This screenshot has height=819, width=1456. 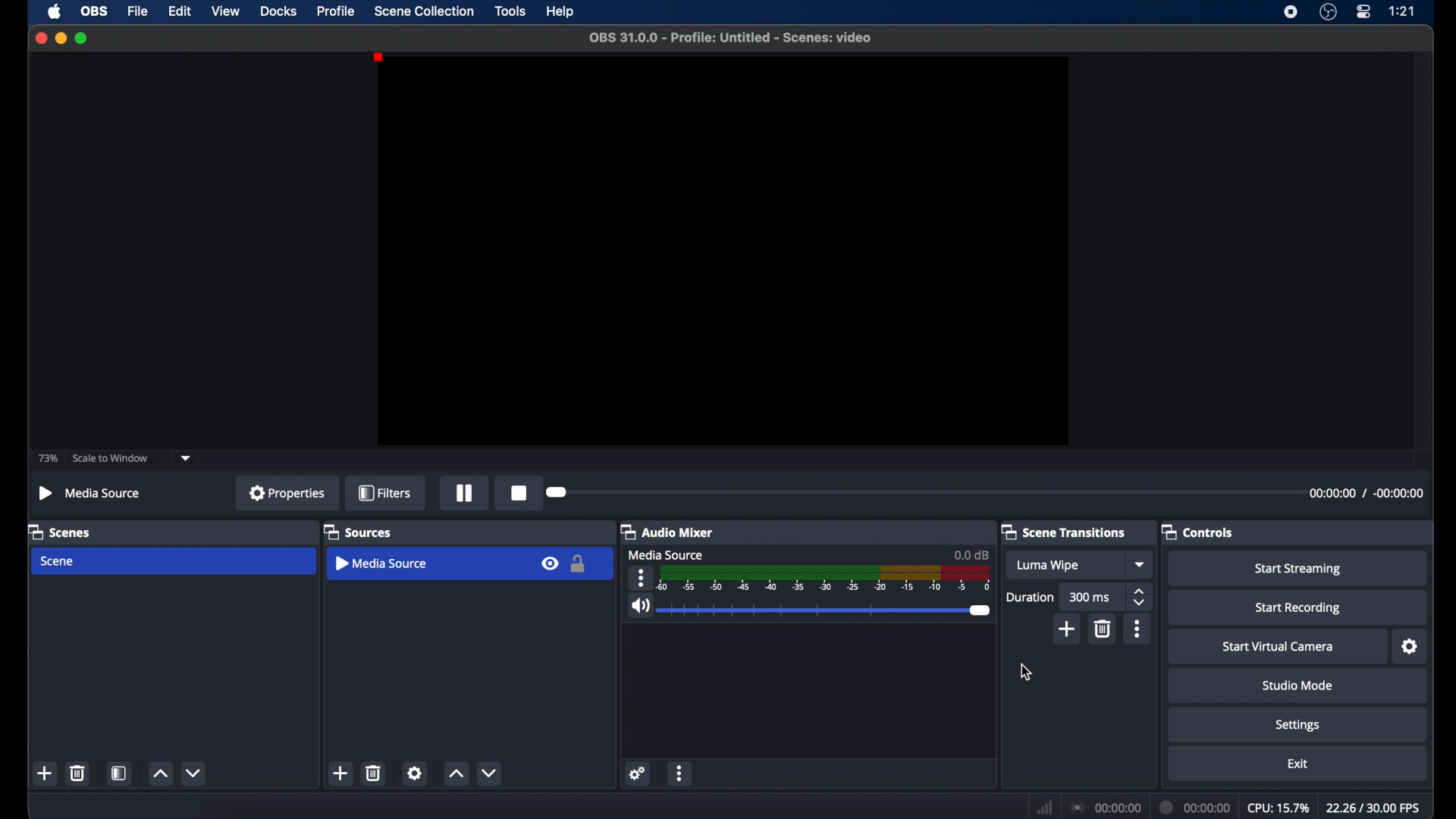 What do you see at coordinates (1295, 686) in the screenshot?
I see `studio mode` at bounding box center [1295, 686].